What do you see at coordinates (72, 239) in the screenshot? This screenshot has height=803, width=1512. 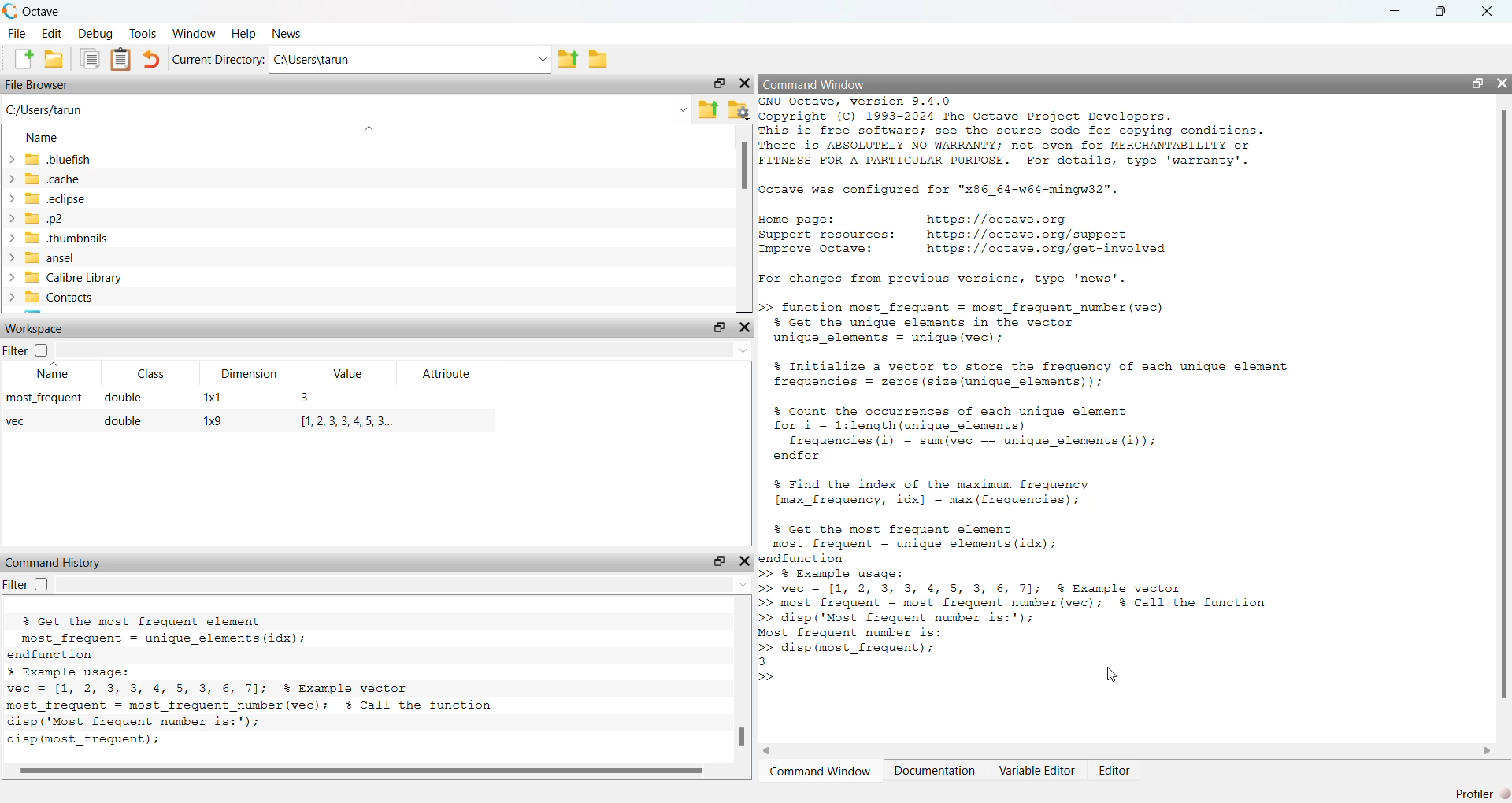 I see `.thumbnails` at bounding box center [72, 239].